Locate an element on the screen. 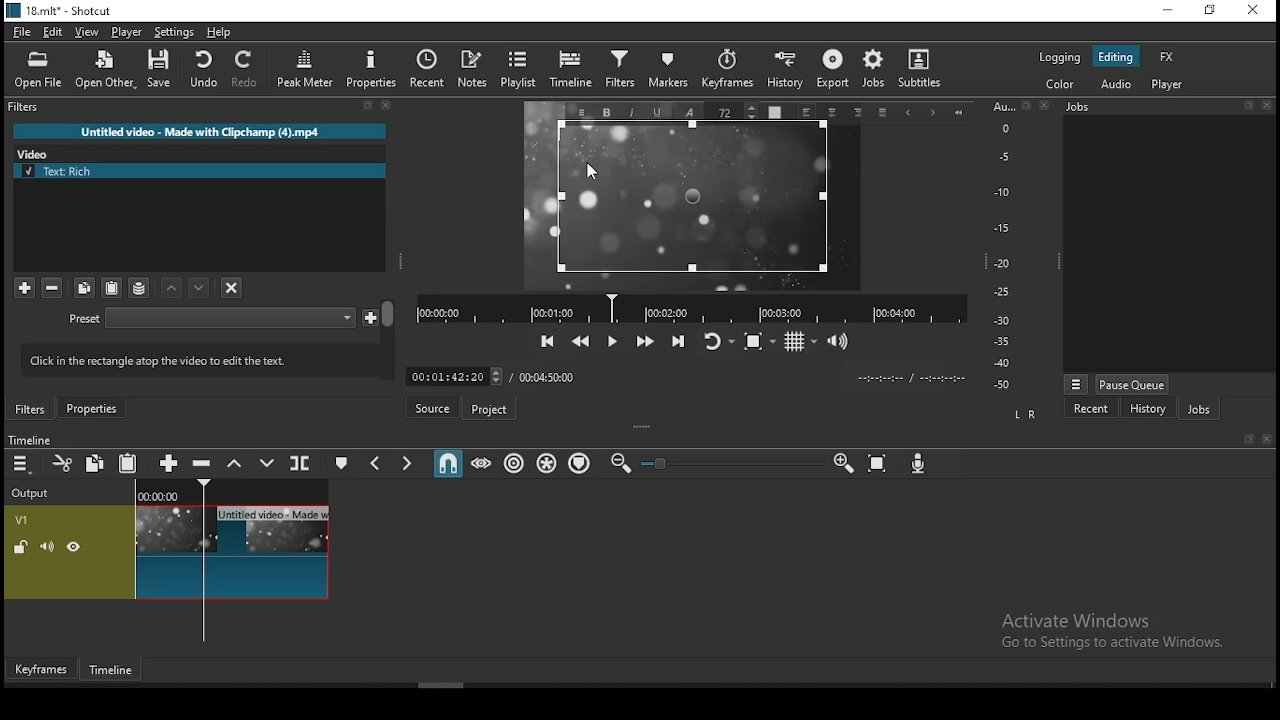 This screenshot has height=720, width=1280. timeline is located at coordinates (113, 671).